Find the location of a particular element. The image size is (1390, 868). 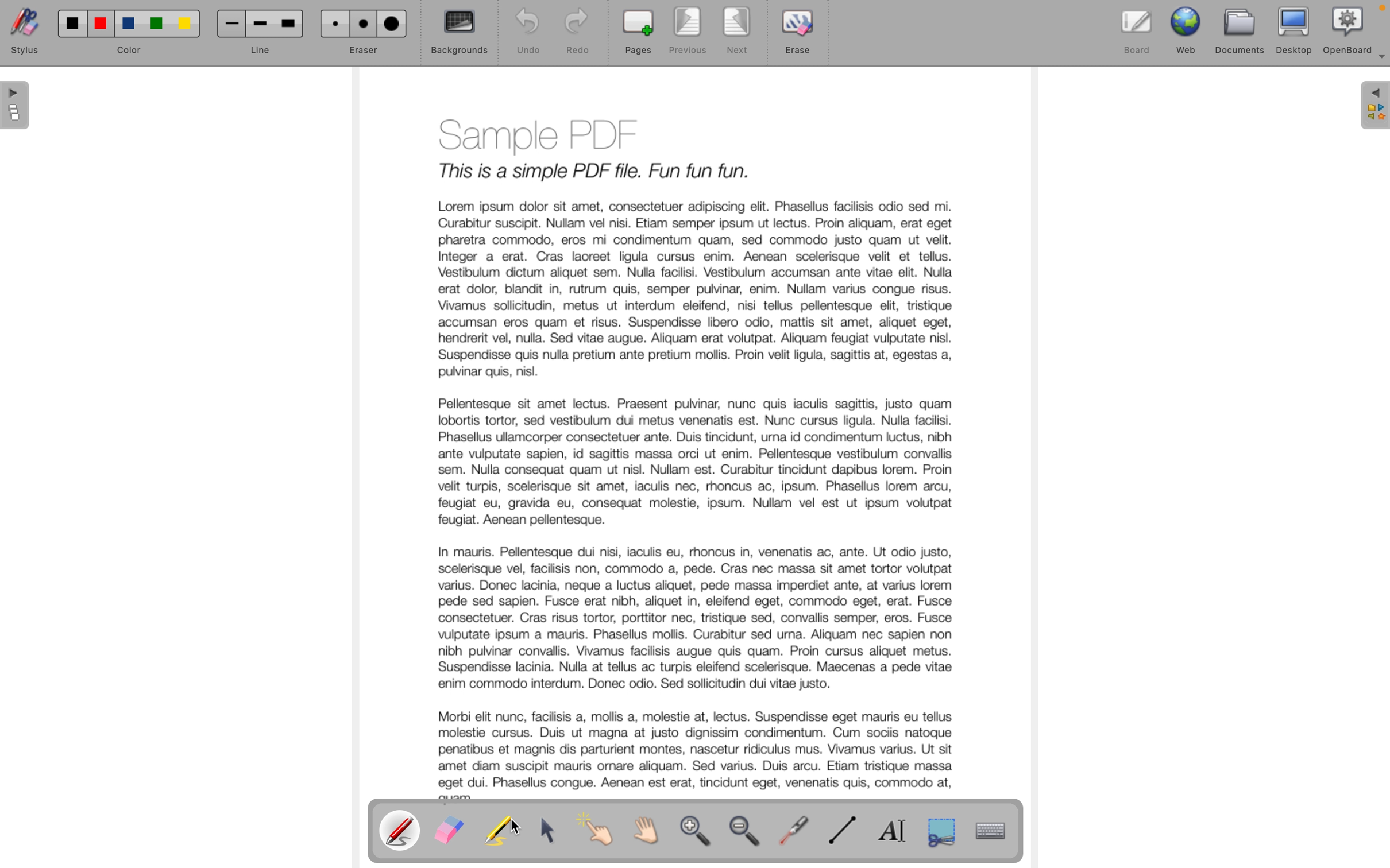

write text is located at coordinates (897, 831).